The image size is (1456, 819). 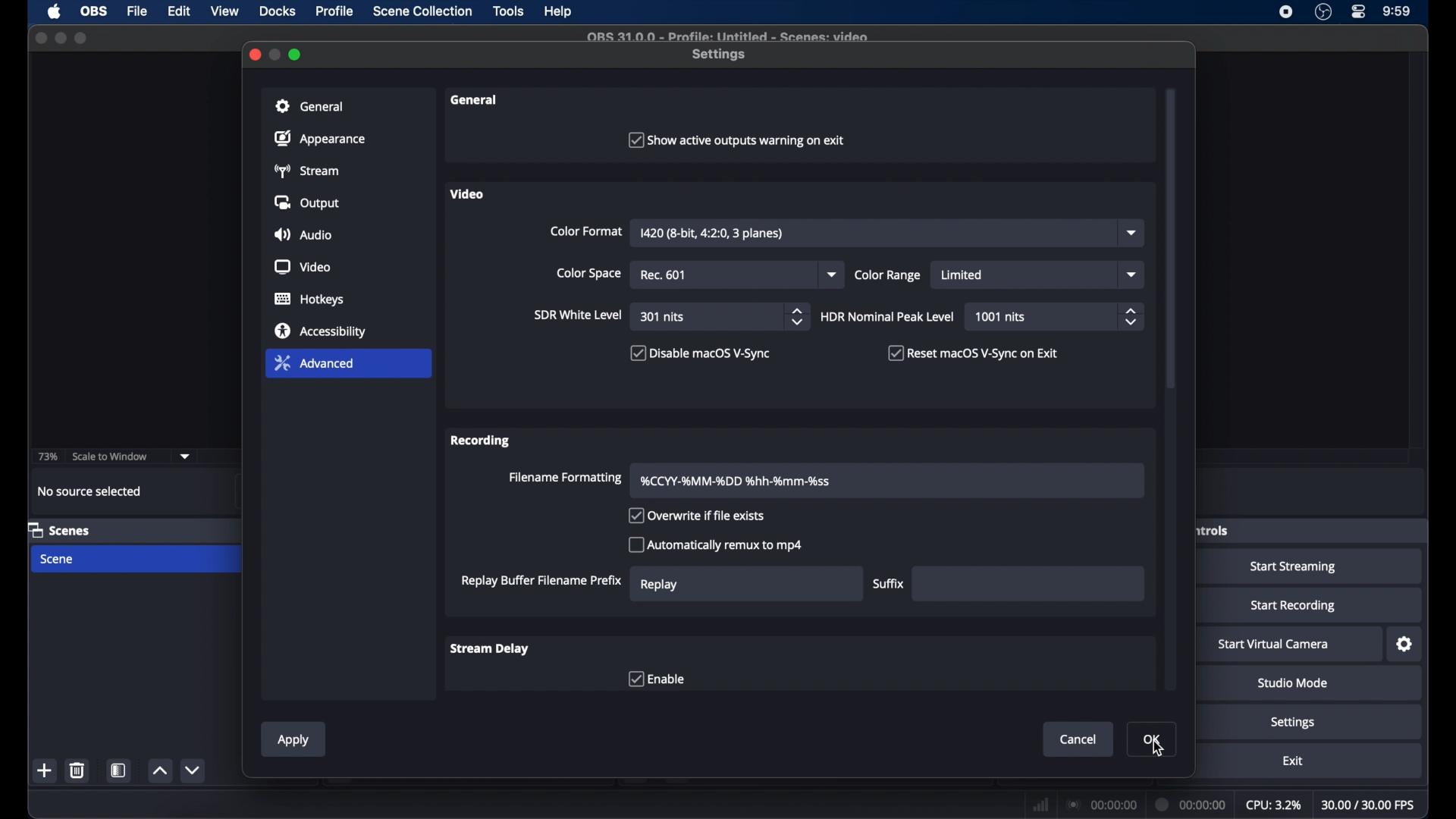 I want to click on suffix, so click(x=889, y=584).